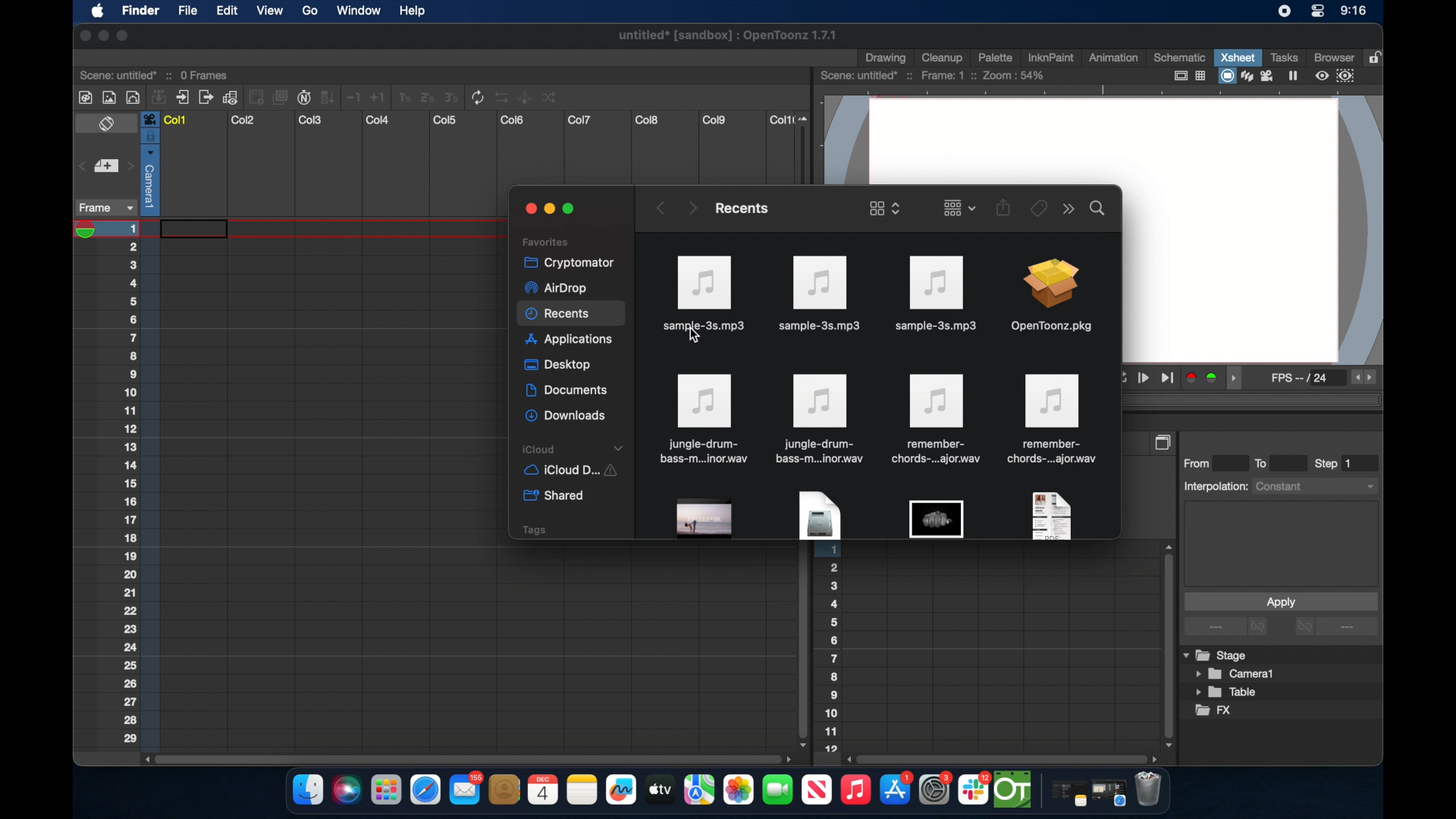 The width and height of the screenshot is (1456, 819). Describe the element at coordinates (695, 339) in the screenshot. I see `cursor` at that location.